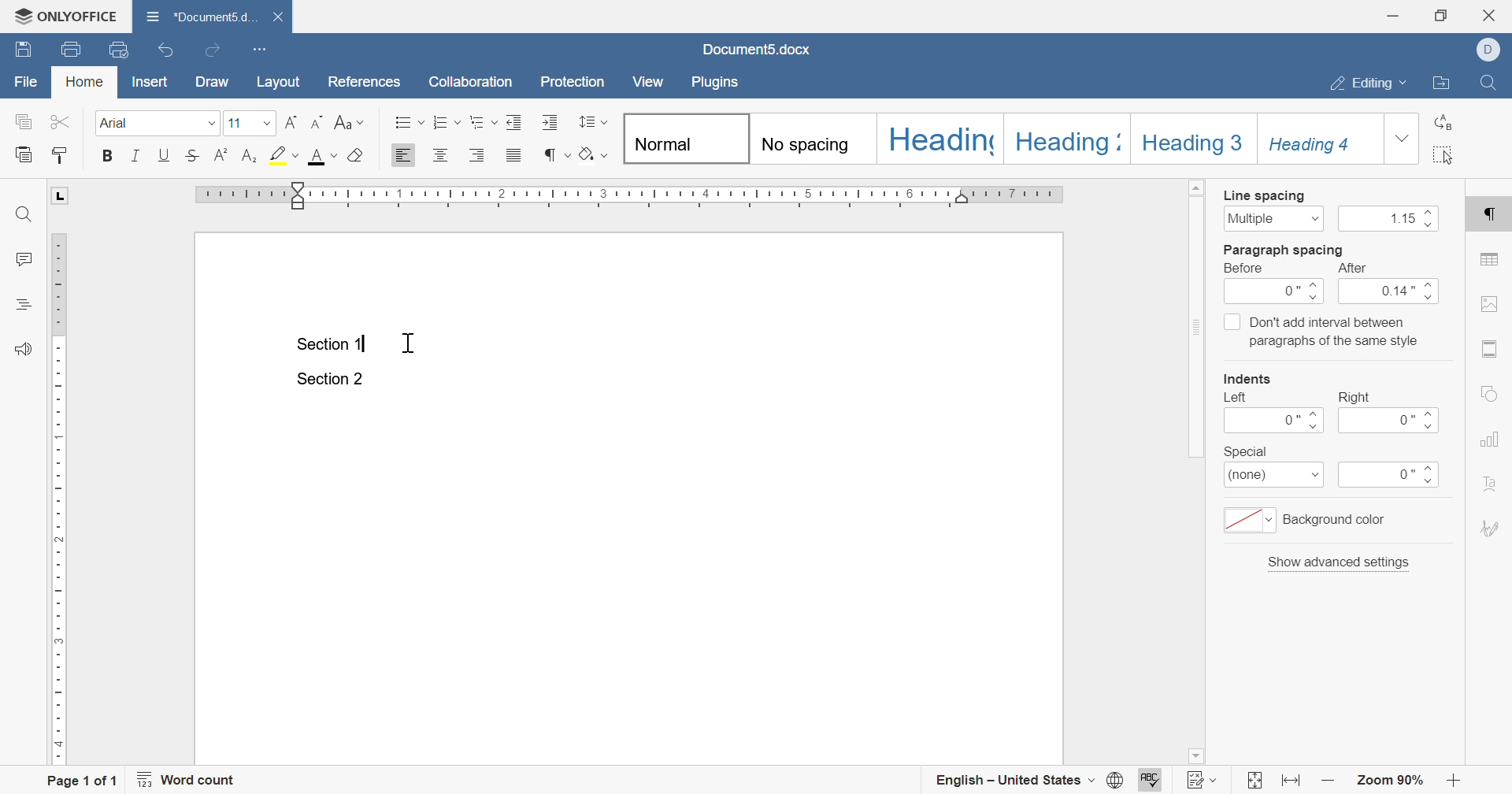 The width and height of the screenshot is (1512, 794). What do you see at coordinates (1254, 781) in the screenshot?
I see `fit to slide` at bounding box center [1254, 781].